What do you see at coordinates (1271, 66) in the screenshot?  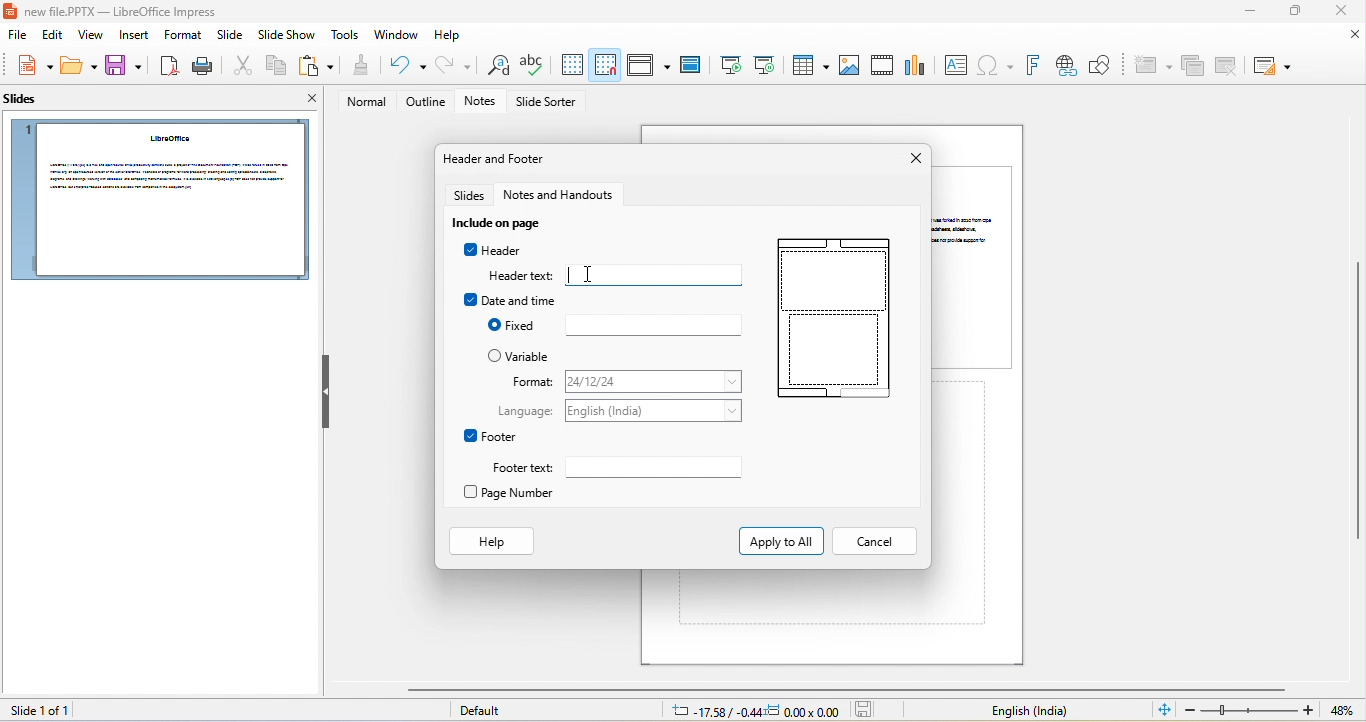 I see `slide layout` at bounding box center [1271, 66].